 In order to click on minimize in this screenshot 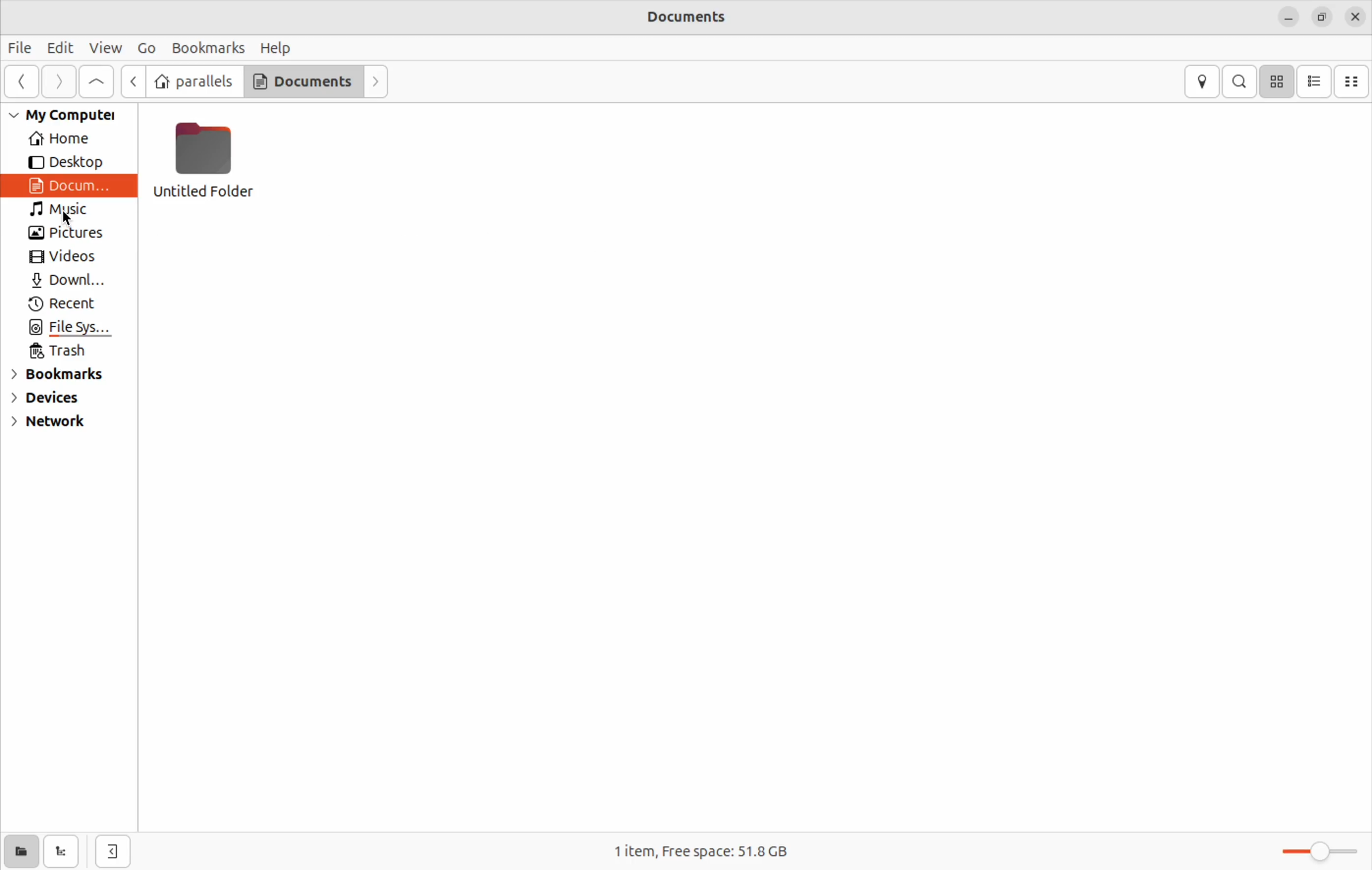, I will do `click(1288, 18)`.